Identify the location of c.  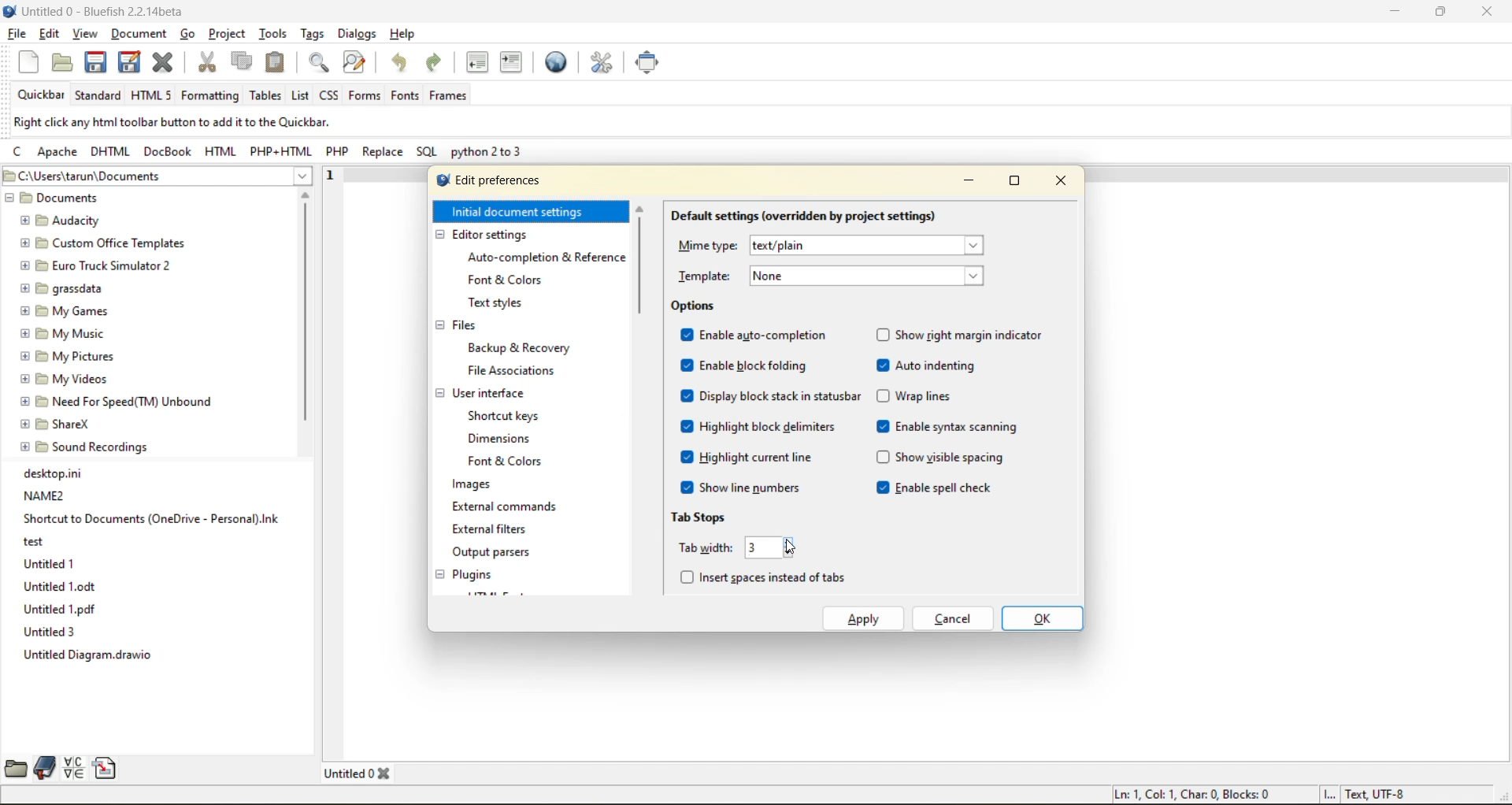
(22, 154).